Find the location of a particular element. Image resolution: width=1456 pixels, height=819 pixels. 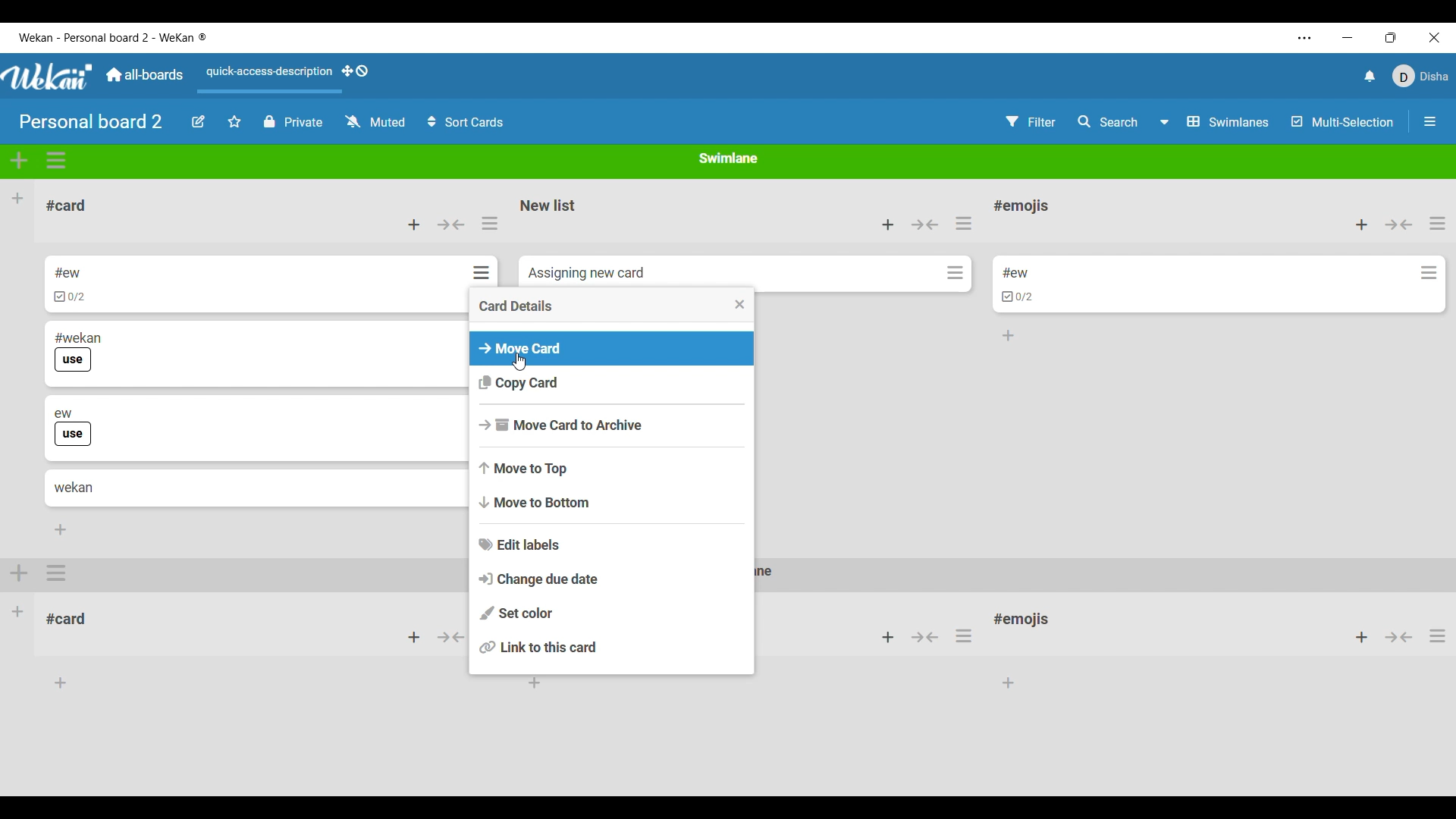

List actions is located at coordinates (490, 223).